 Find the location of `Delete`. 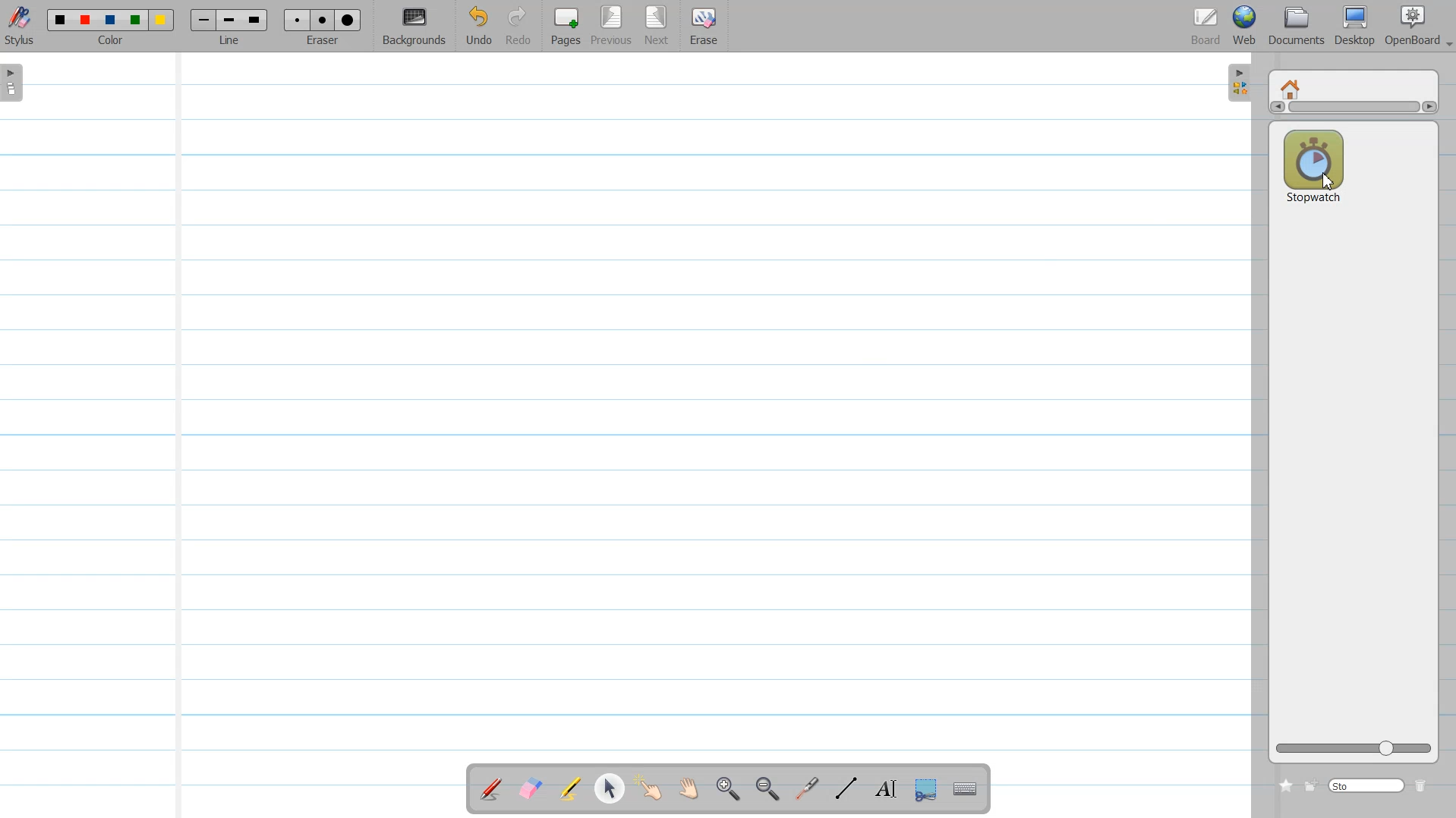

Delete is located at coordinates (1422, 785).